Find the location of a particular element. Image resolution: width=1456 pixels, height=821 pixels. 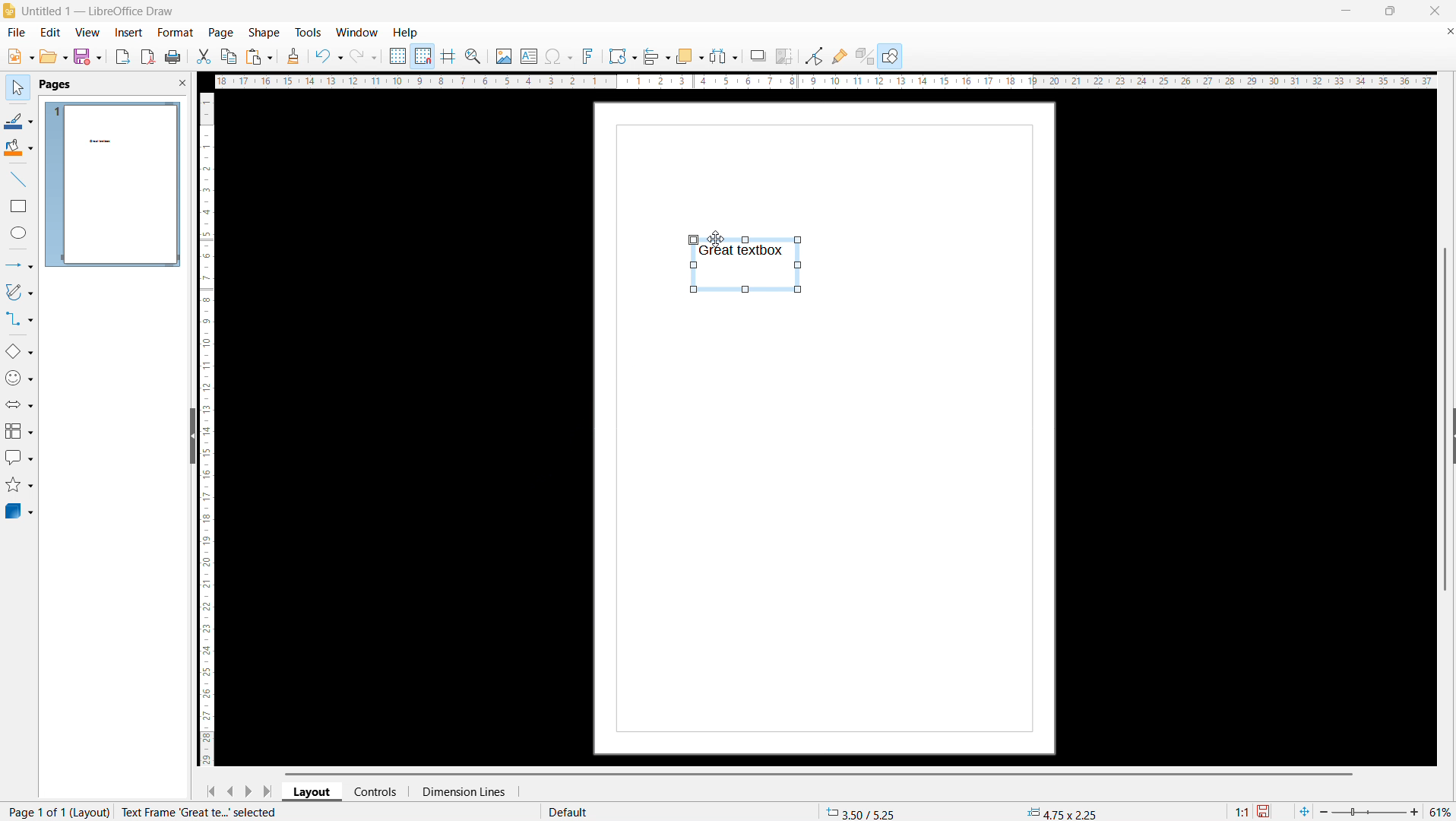

Vertical scroll bar  is located at coordinates (1445, 420).